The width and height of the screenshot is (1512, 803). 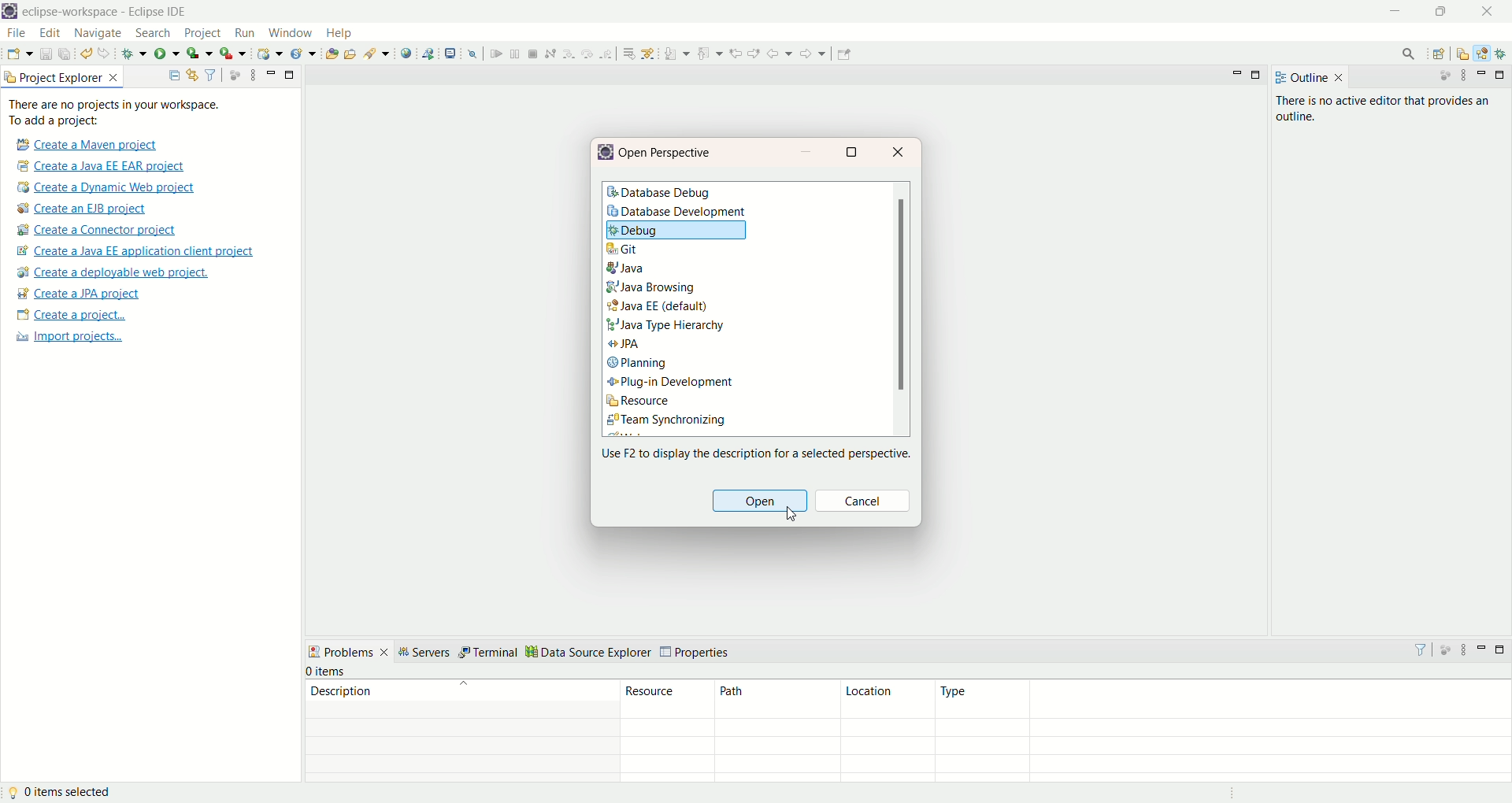 What do you see at coordinates (135, 54) in the screenshot?
I see `debug` at bounding box center [135, 54].